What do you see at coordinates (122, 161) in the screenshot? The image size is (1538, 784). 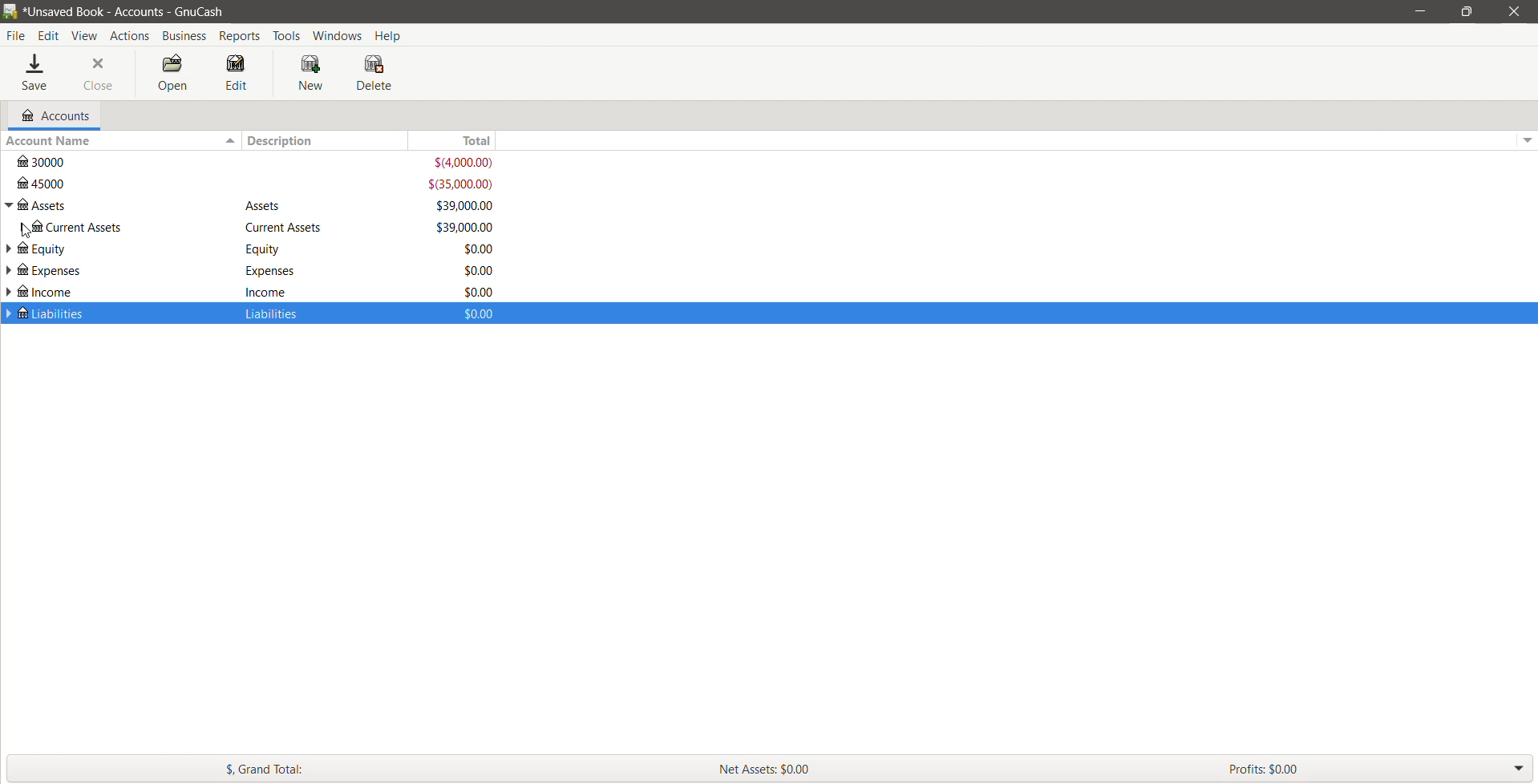 I see `3000` at bounding box center [122, 161].